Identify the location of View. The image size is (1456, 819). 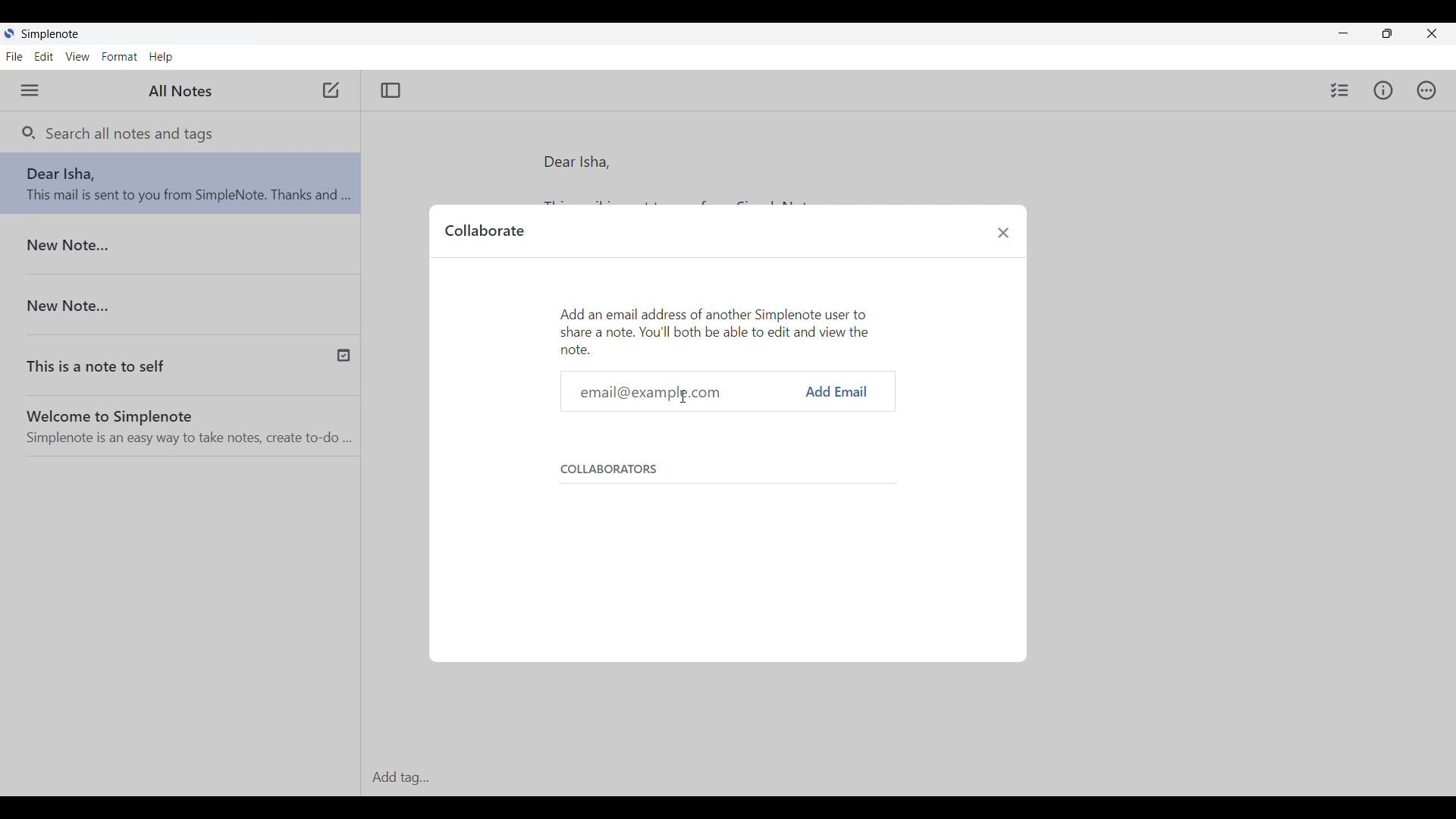
(78, 56).